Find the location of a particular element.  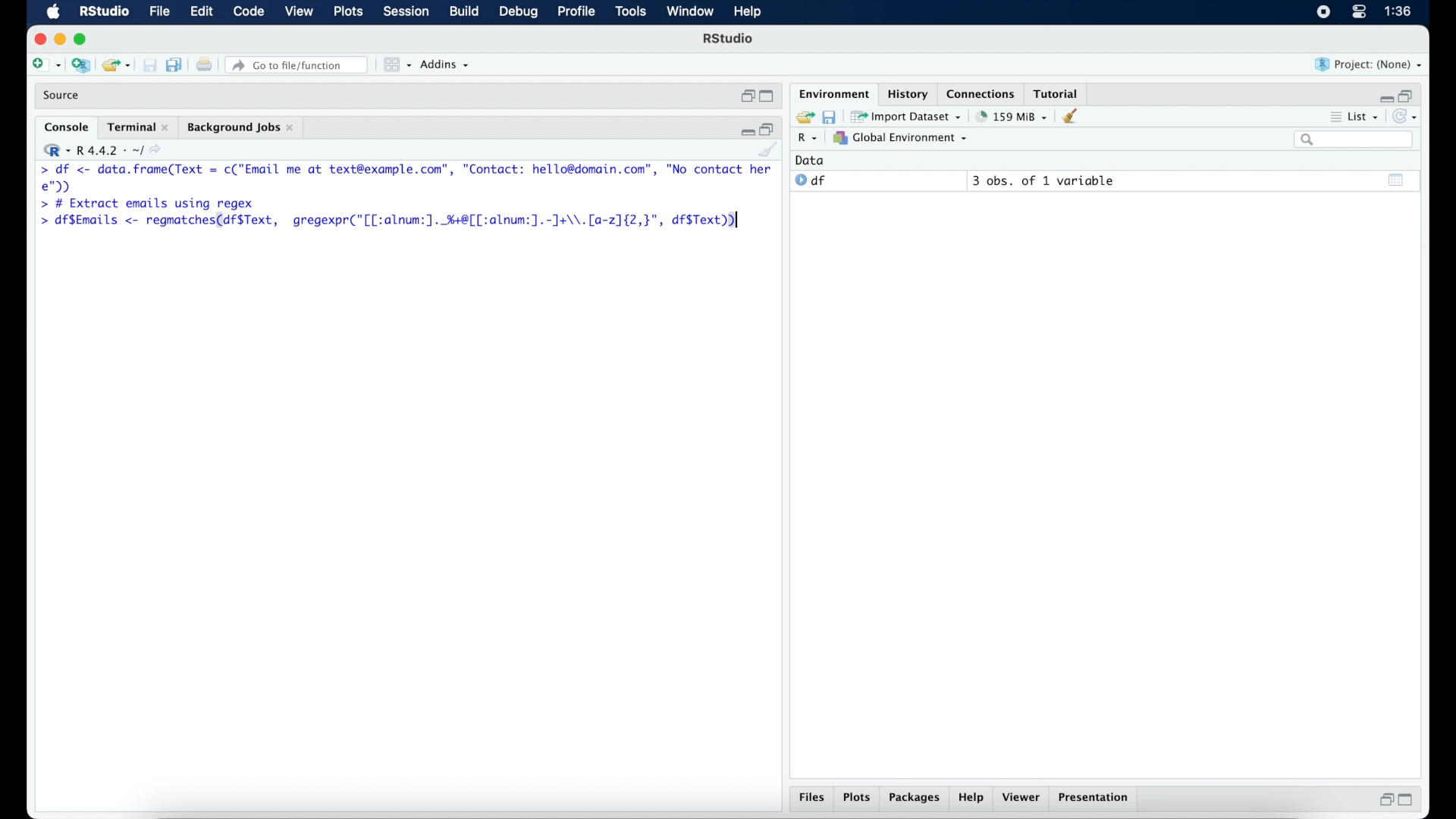

session is located at coordinates (406, 12).